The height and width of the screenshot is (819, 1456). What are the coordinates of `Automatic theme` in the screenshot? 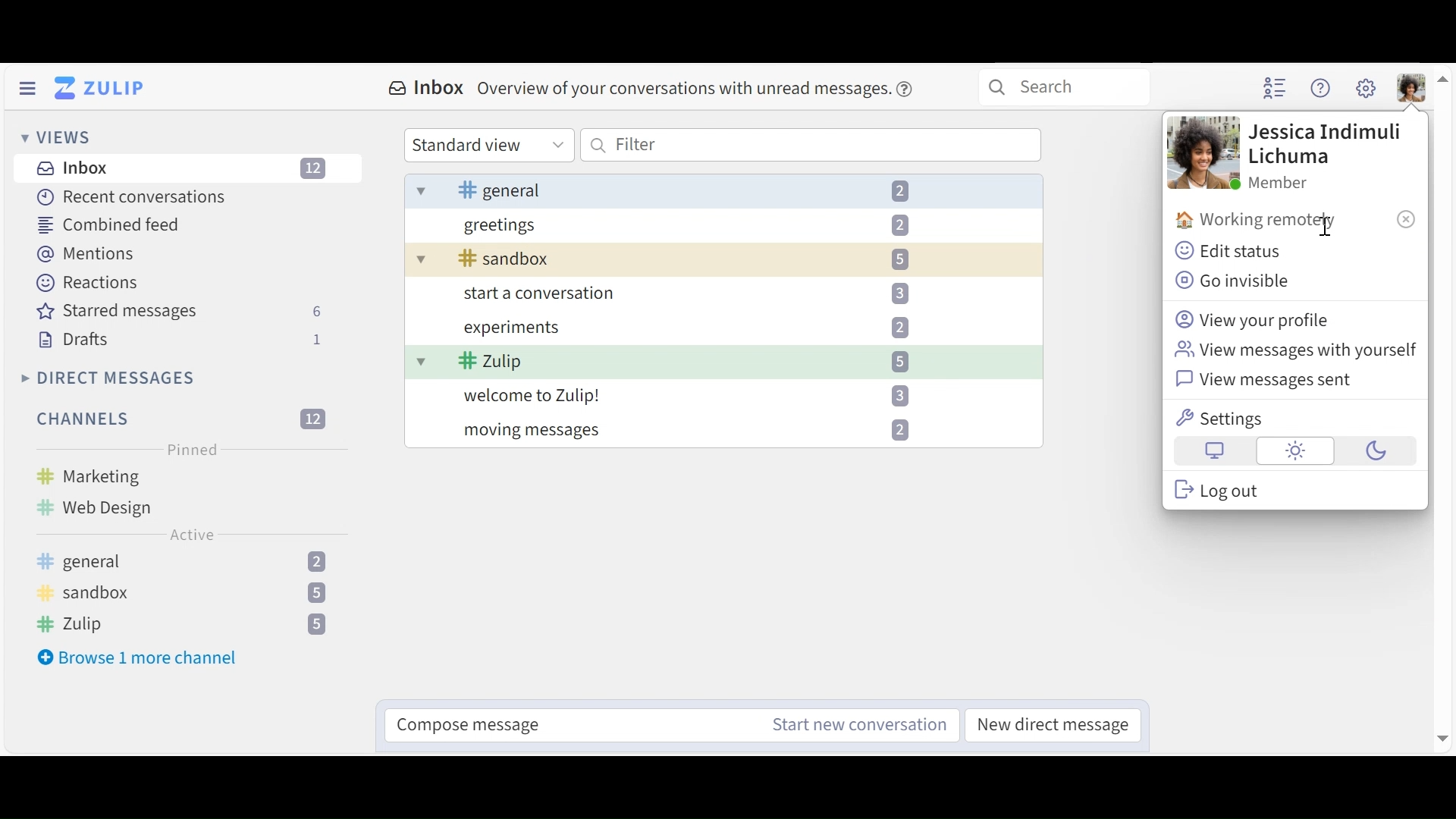 It's located at (1216, 452).